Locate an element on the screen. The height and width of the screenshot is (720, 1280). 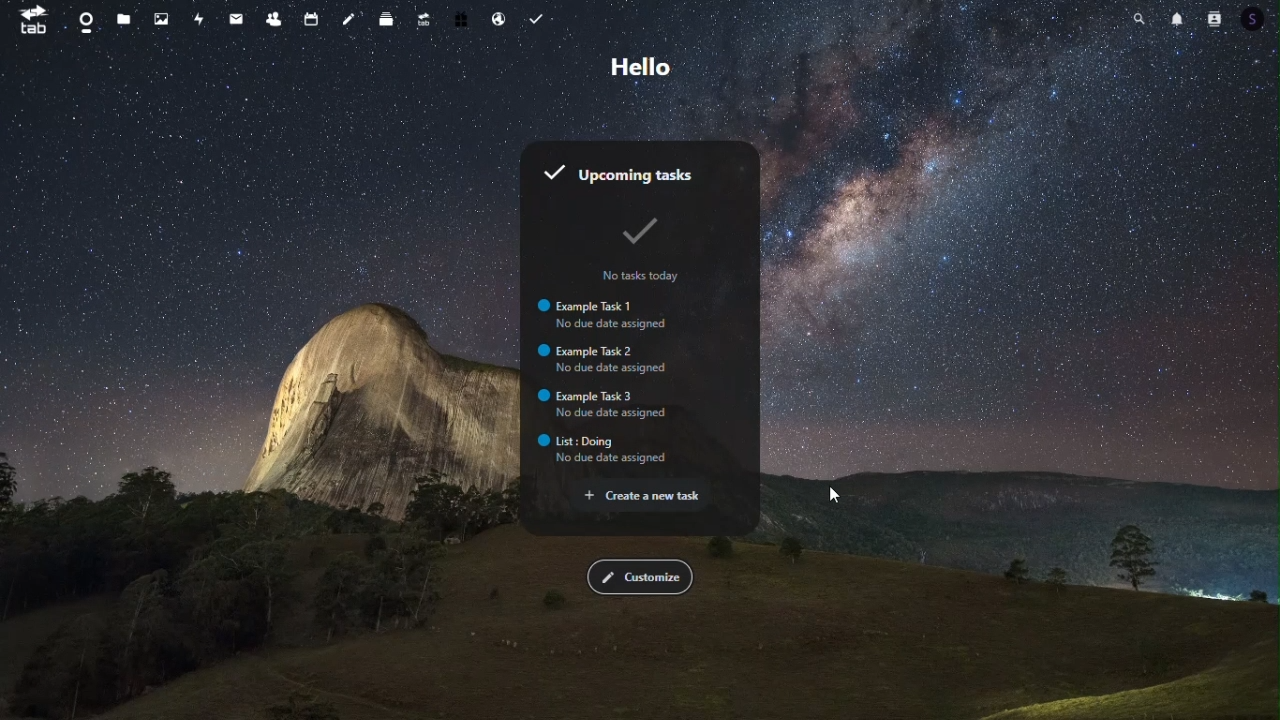
Task is located at coordinates (538, 16).